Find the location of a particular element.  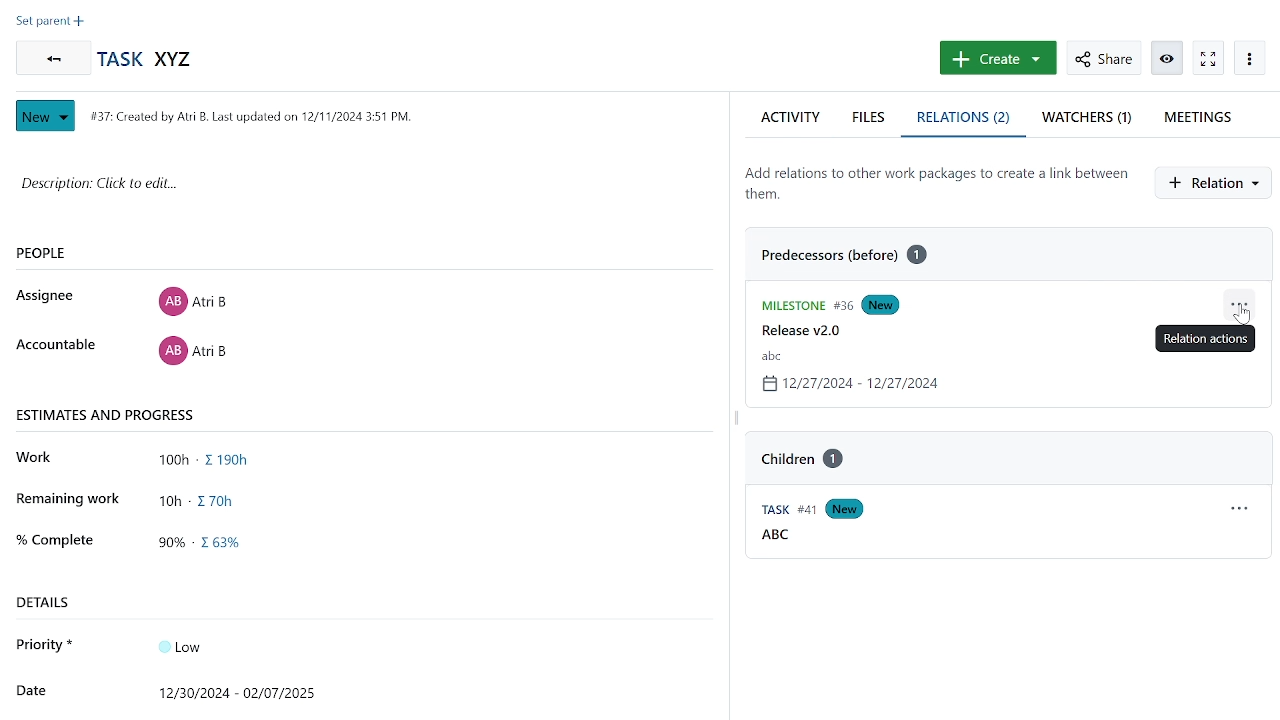

complete is located at coordinates (54, 538).